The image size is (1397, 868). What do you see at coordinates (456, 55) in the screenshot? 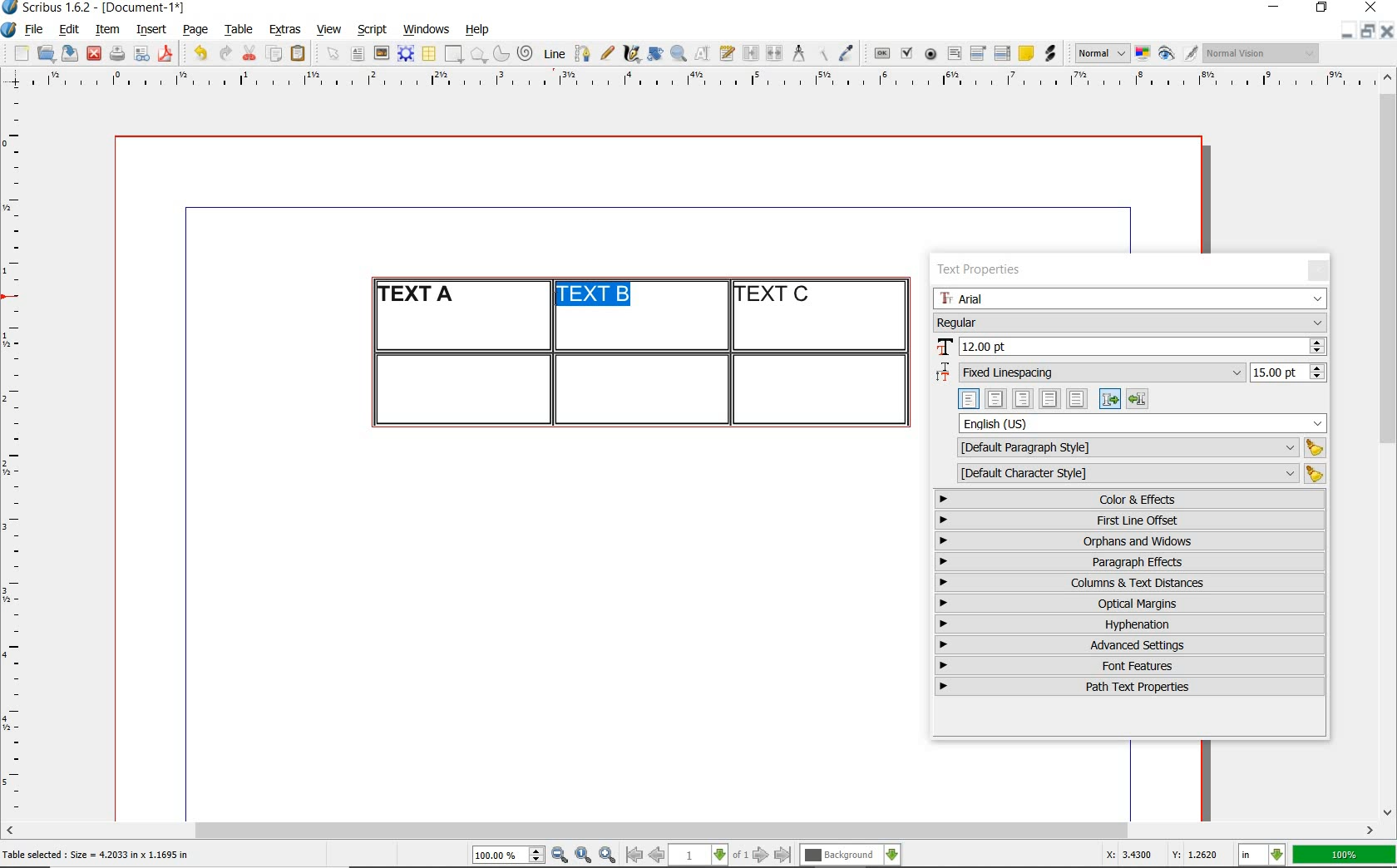
I see `shape` at bounding box center [456, 55].